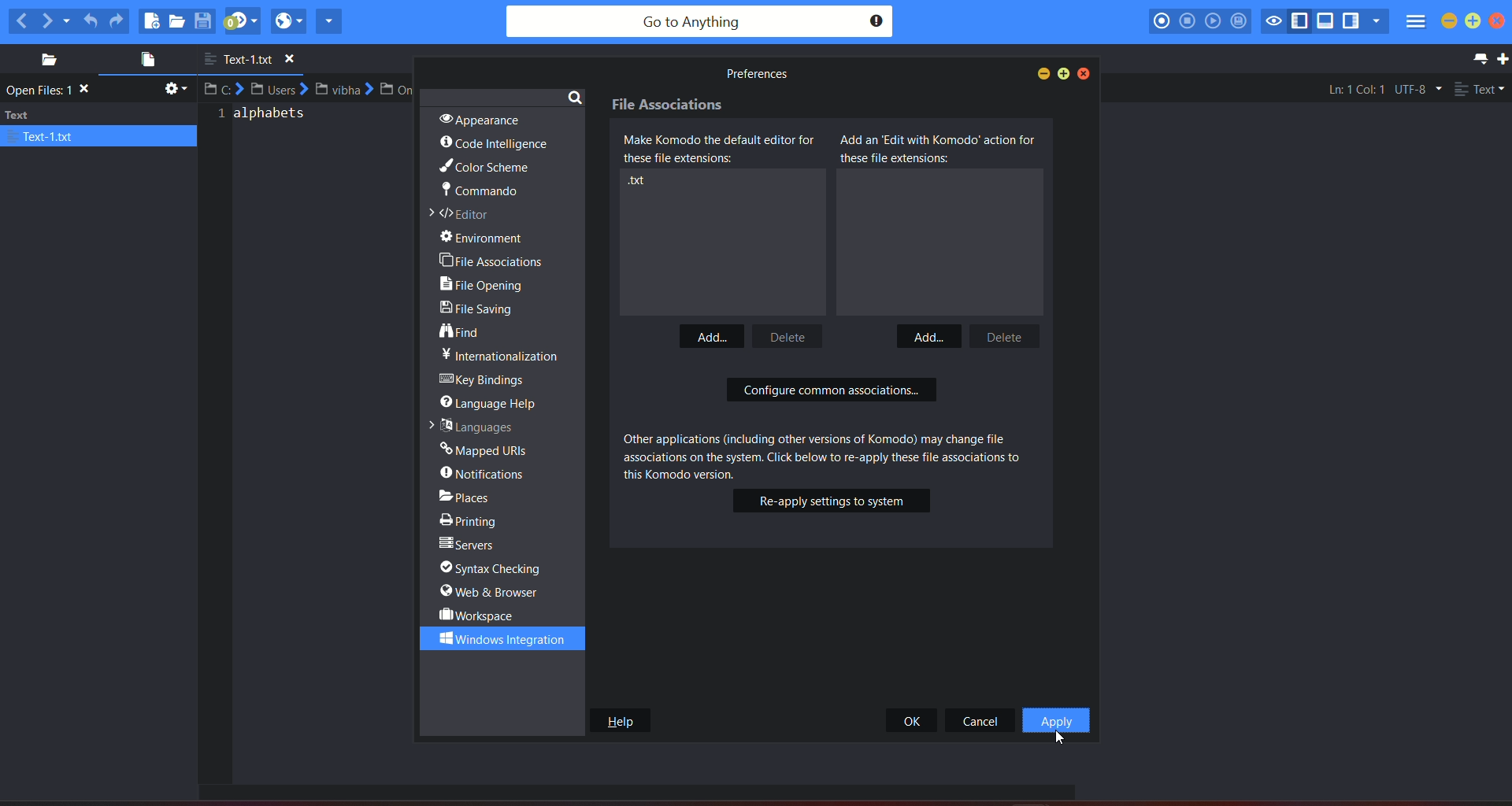 Image resolution: width=1512 pixels, height=806 pixels. I want to click on appearance, so click(476, 118).